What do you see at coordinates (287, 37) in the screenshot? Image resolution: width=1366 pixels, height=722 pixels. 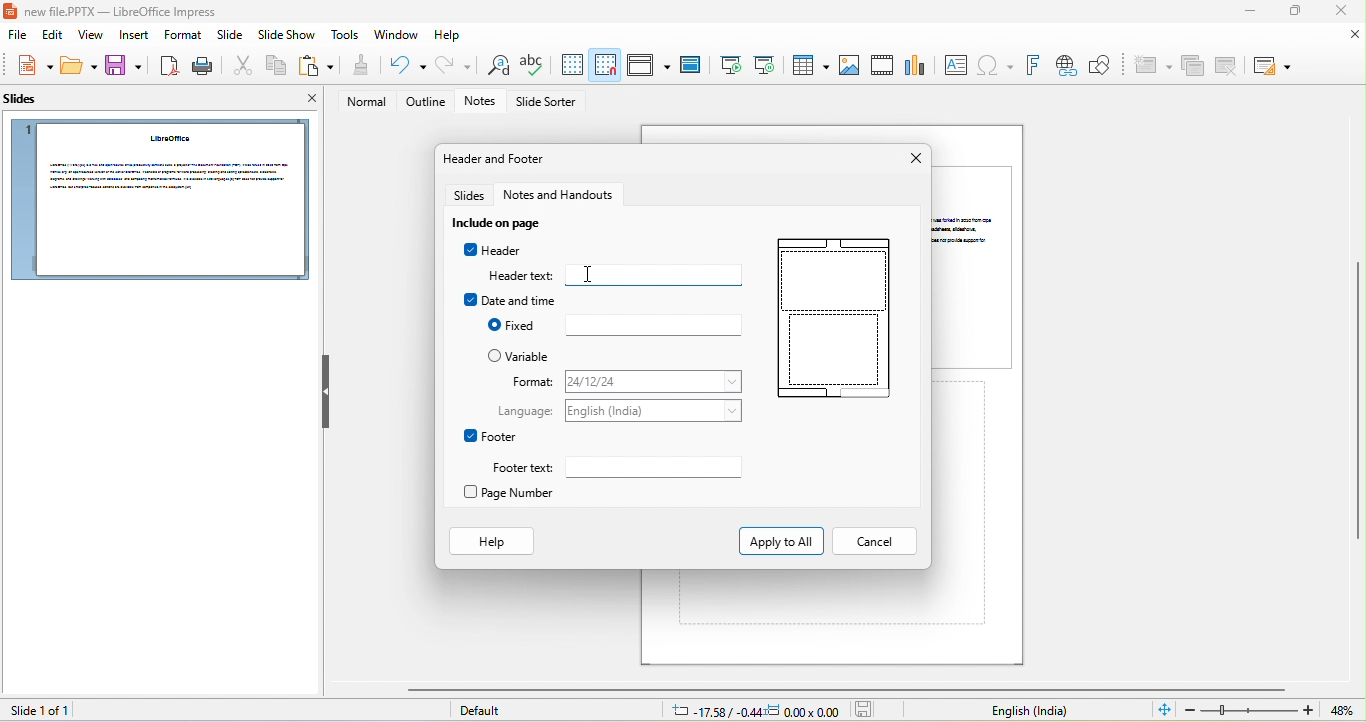 I see `slide show` at bounding box center [287, 37].